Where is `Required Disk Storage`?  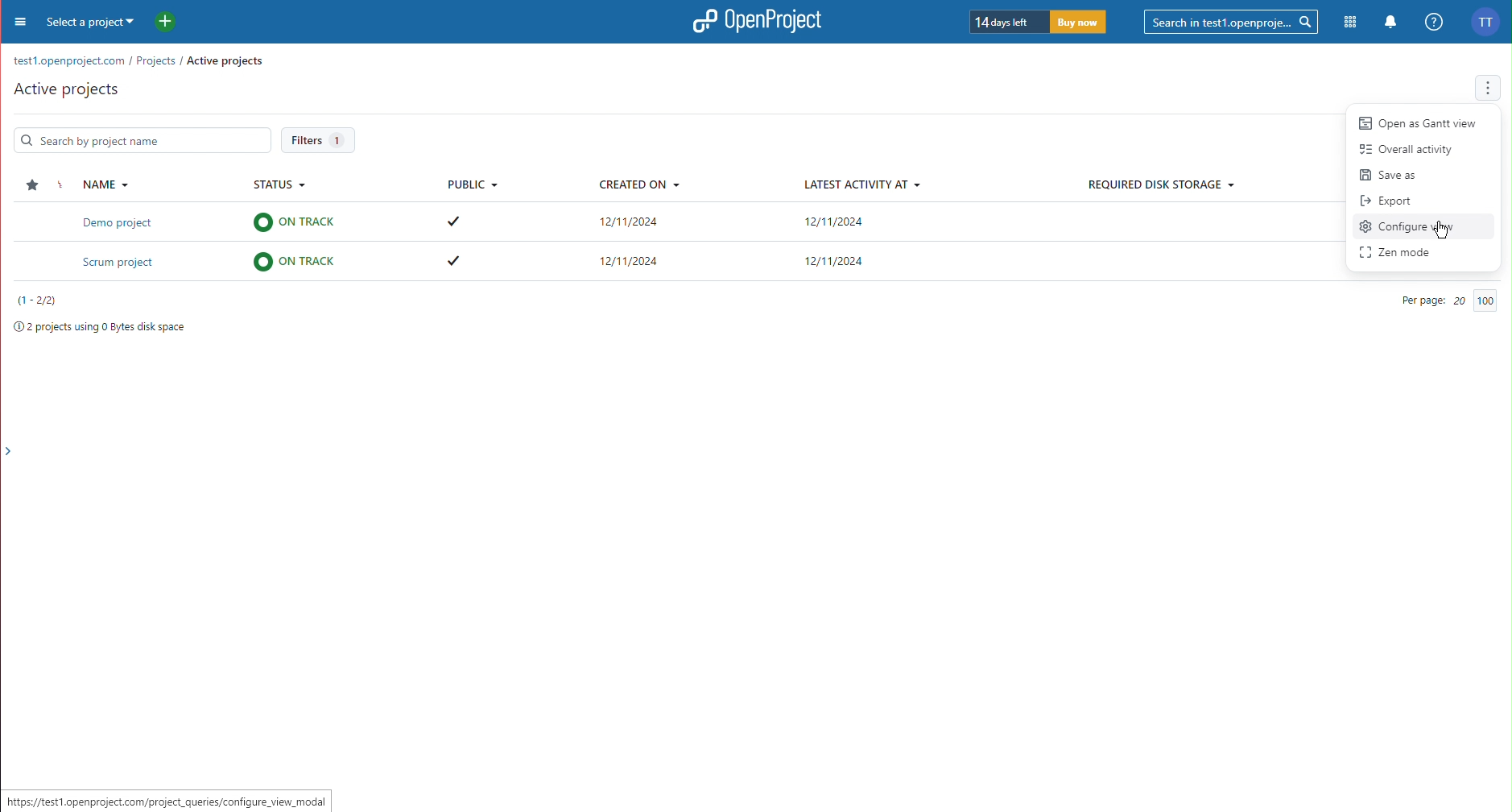
Required Disk Storage is located at coordinates (1159, 184).